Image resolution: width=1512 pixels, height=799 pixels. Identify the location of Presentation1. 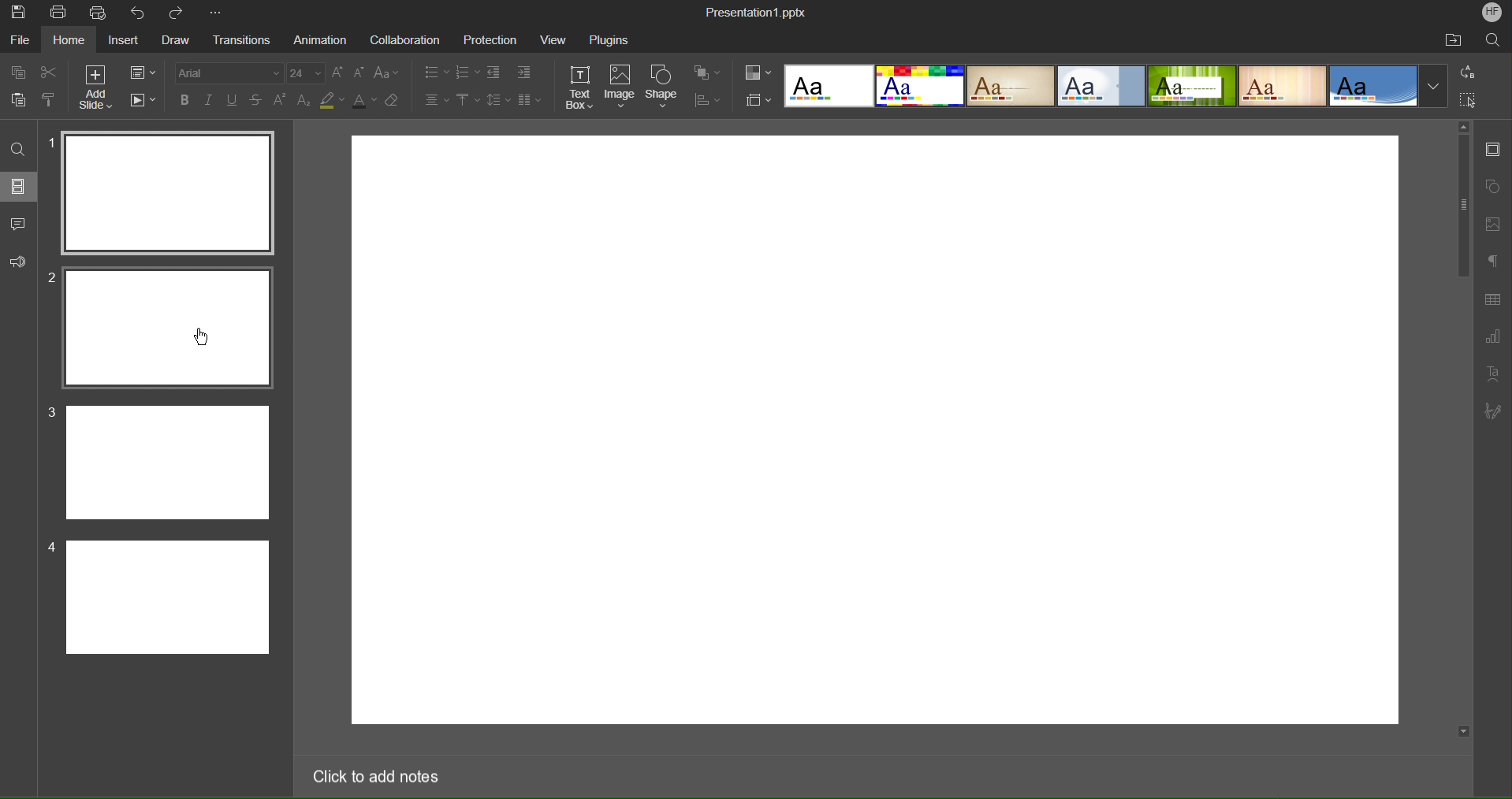
(755, 9).